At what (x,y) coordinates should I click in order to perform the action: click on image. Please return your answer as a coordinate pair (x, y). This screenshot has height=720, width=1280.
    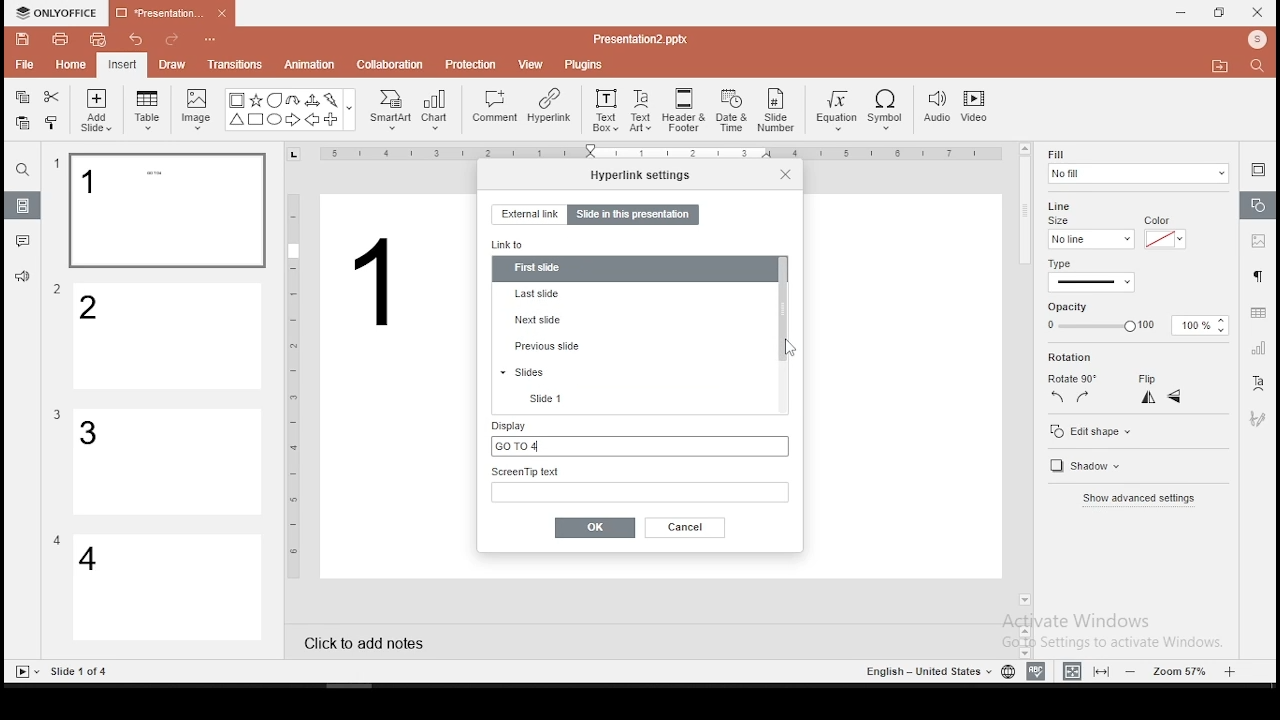
    Looking at the image, I should click on (198, 110).